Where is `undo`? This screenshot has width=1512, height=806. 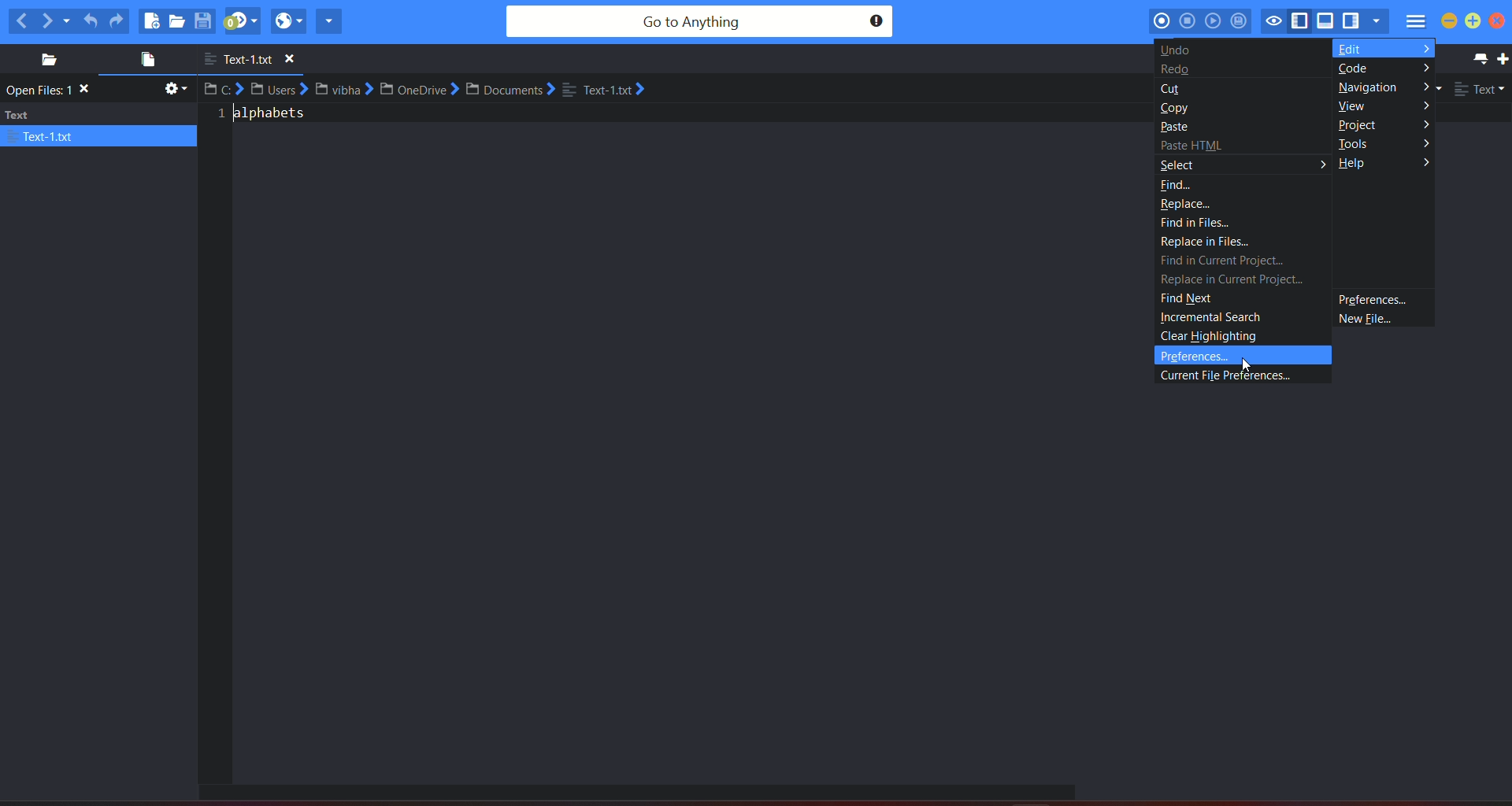
undo is located at coordinates (91, 18).